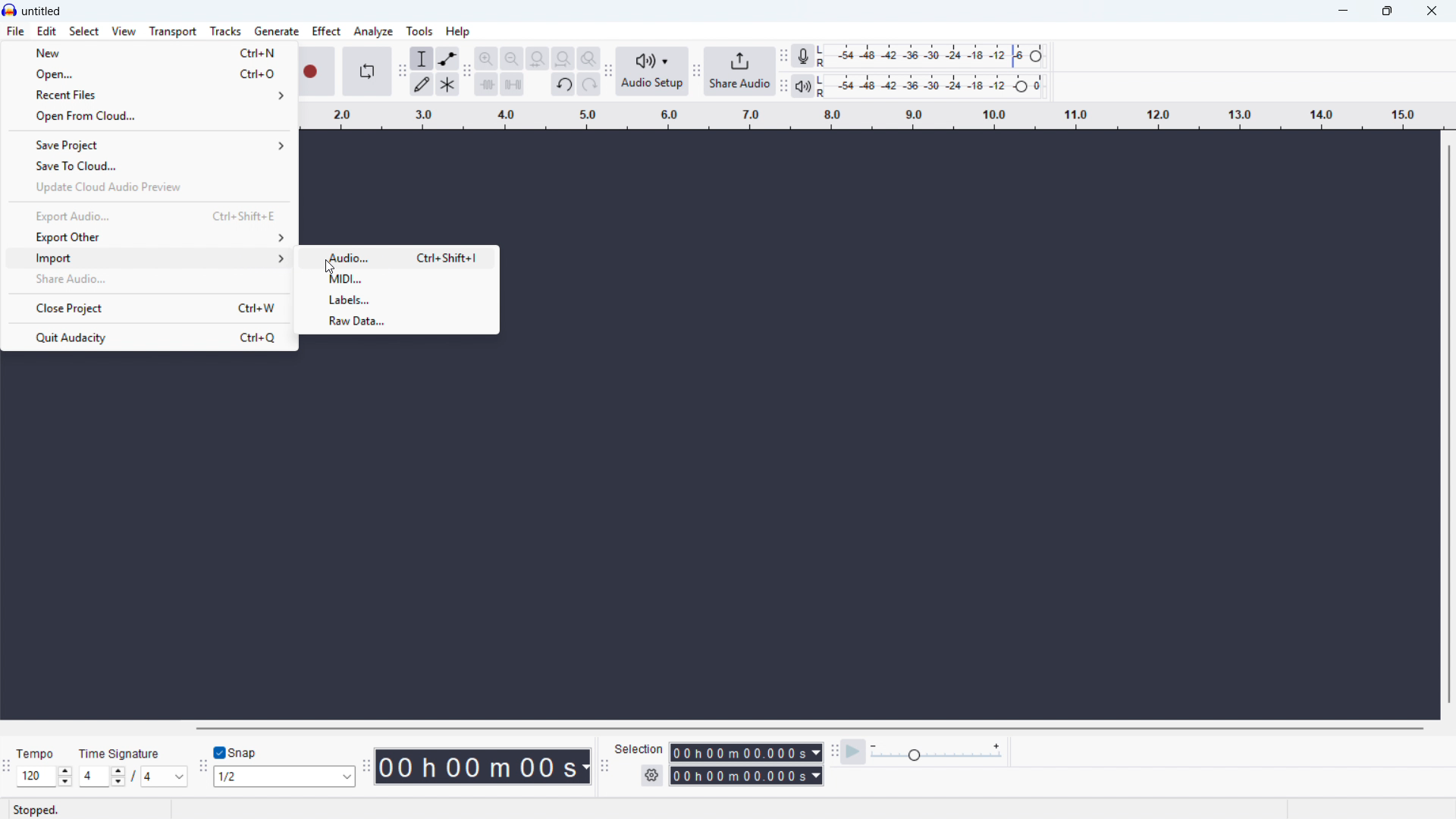  I want to click on , so click(563, 59).